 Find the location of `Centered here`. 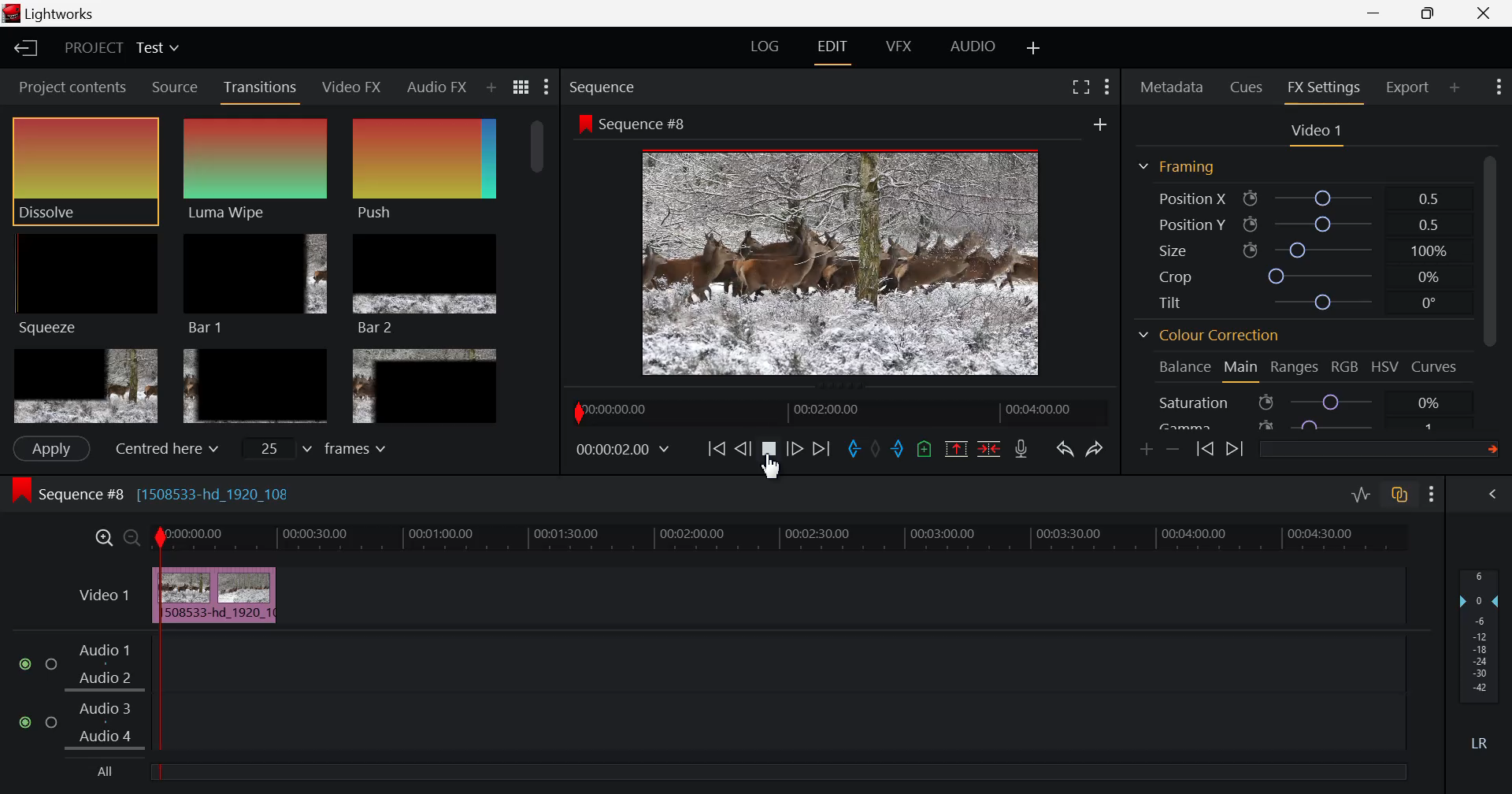

Centered here is located at coordinates (162, 449).